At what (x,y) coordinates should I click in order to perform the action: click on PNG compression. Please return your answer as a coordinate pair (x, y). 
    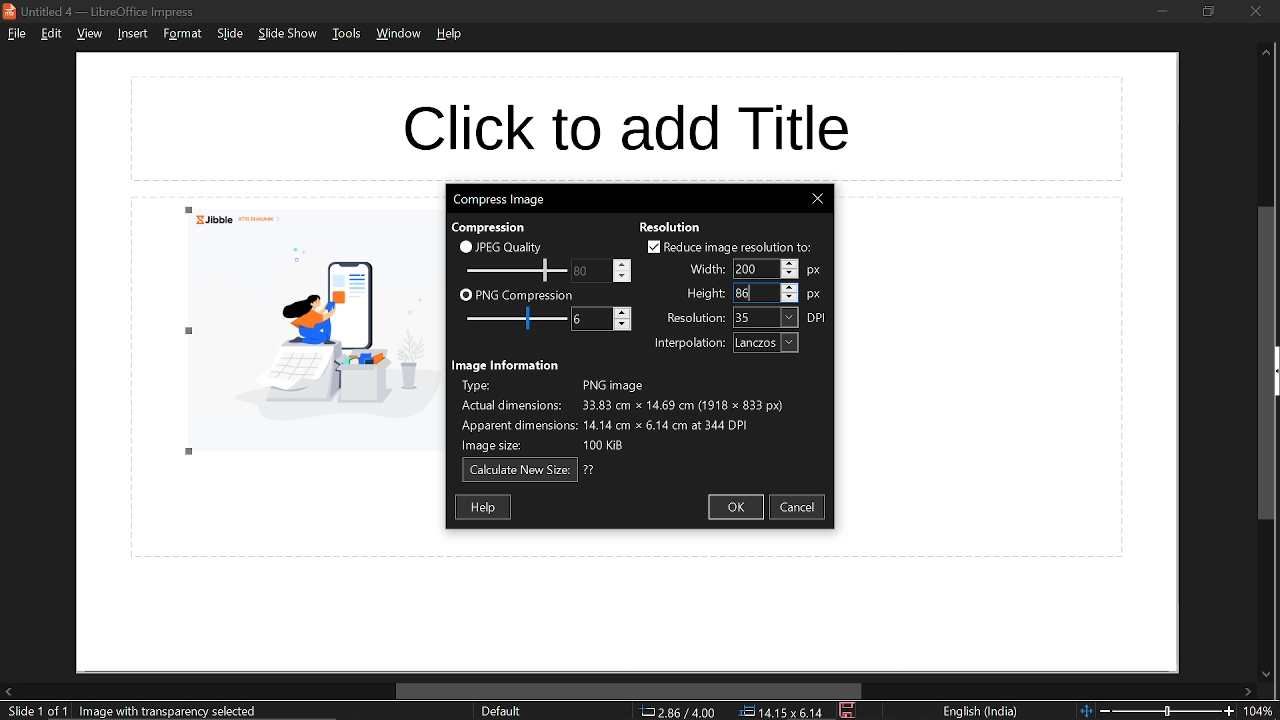
    Looking at the image, I should click on (516, 296).